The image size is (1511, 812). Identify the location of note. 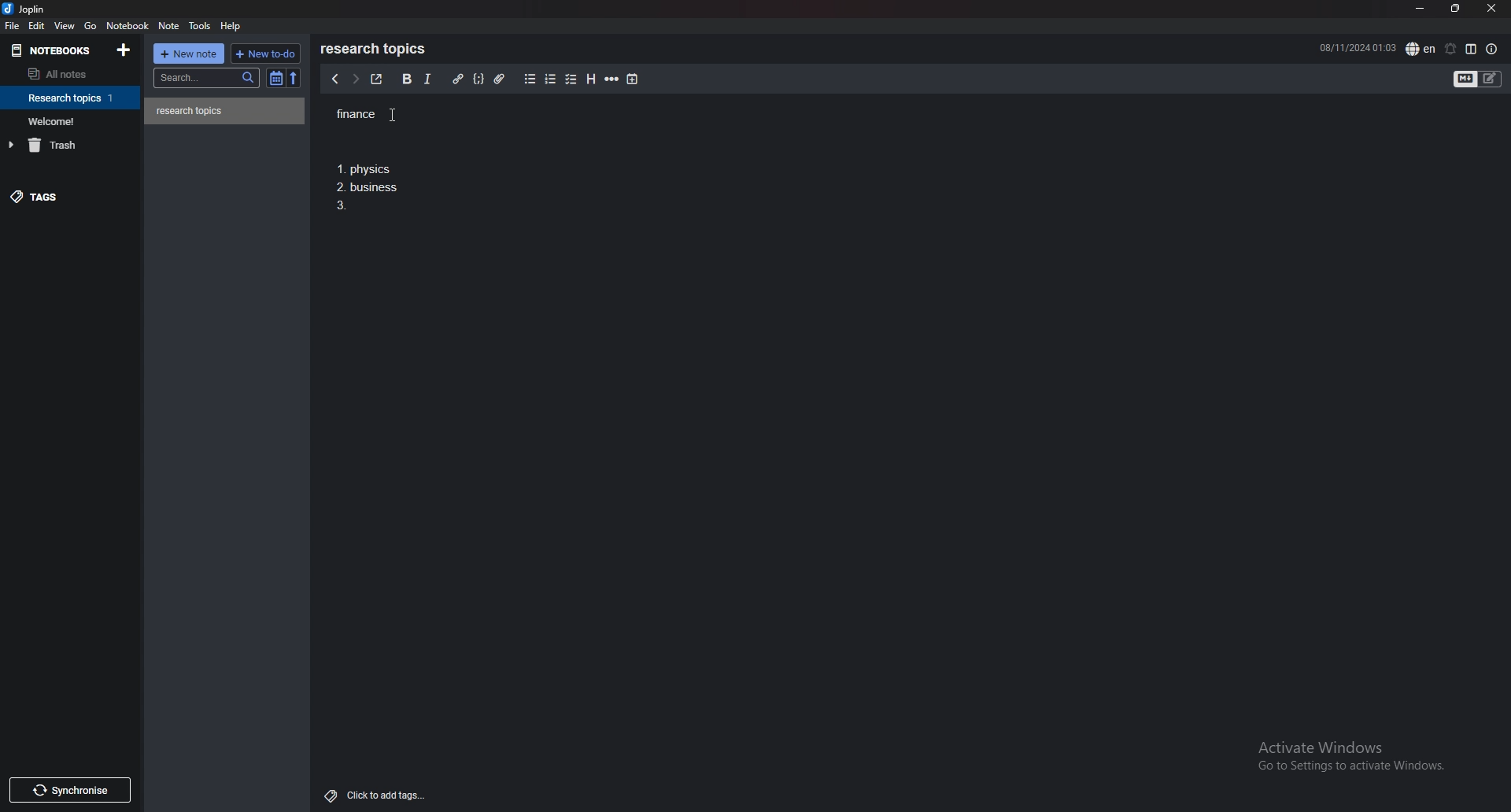
(168, 26).